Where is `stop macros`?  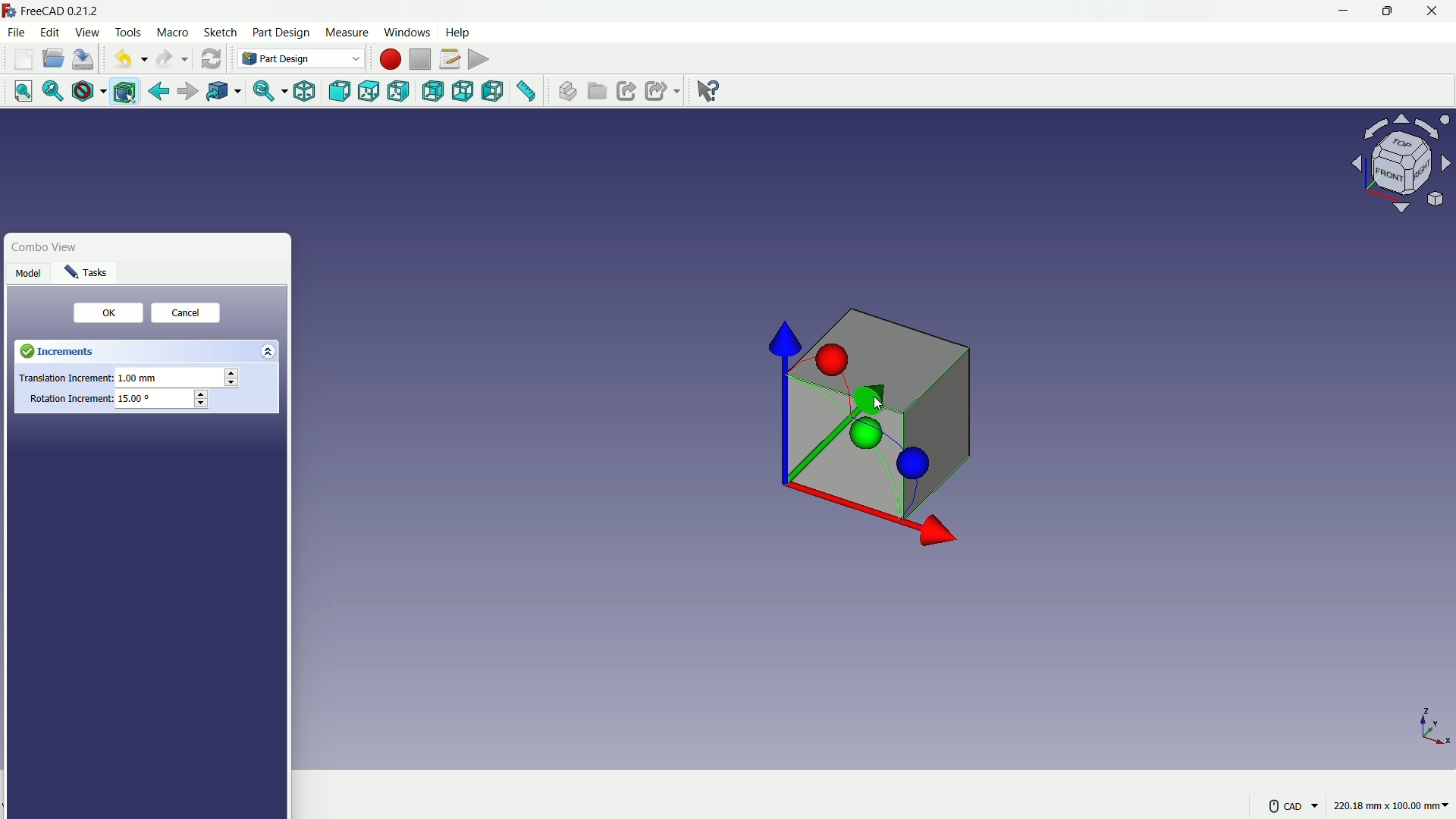 stop macros is located at coordinates (420, 60).